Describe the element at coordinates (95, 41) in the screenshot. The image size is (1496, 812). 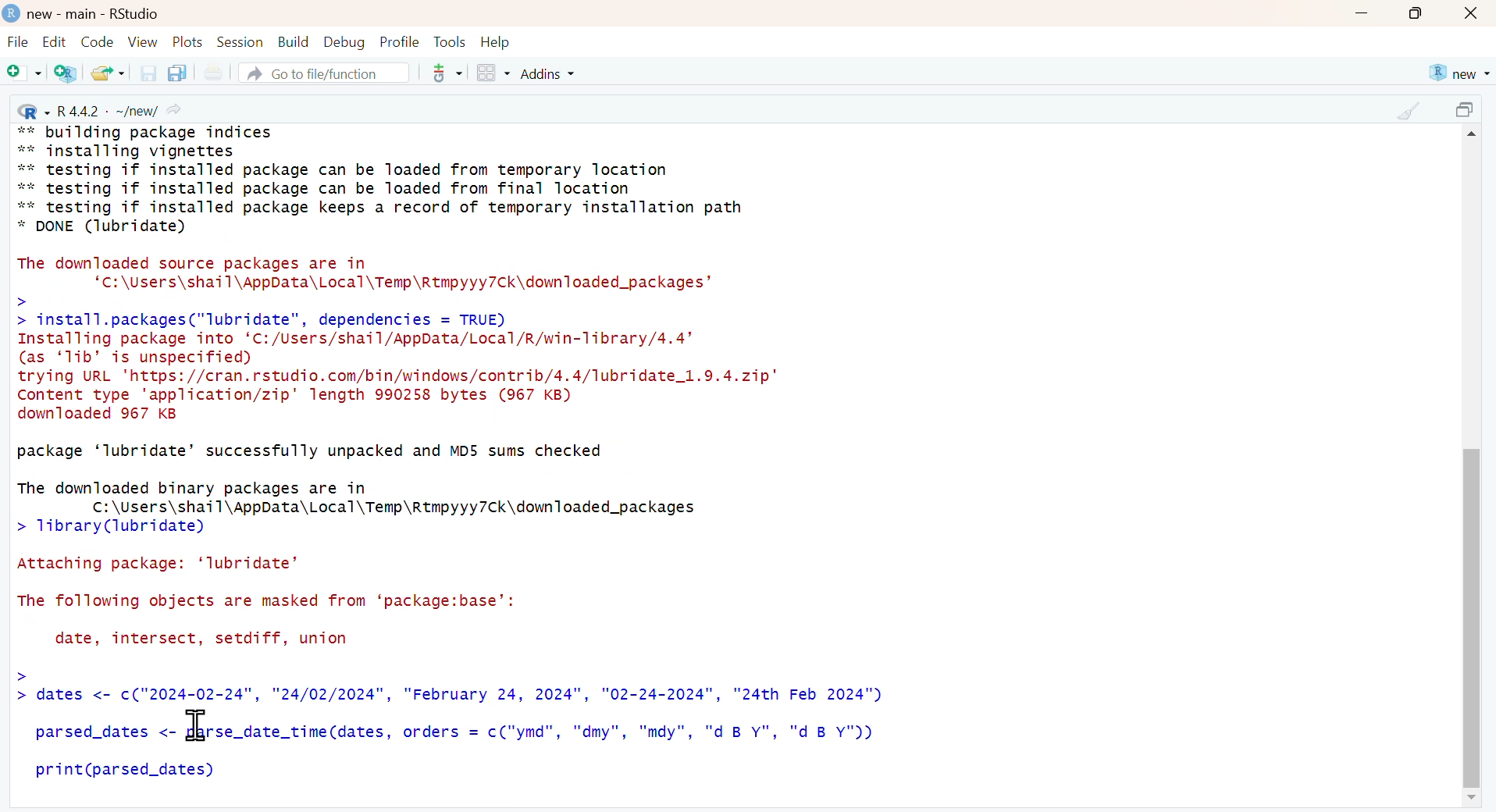
I see `Code` at that location.